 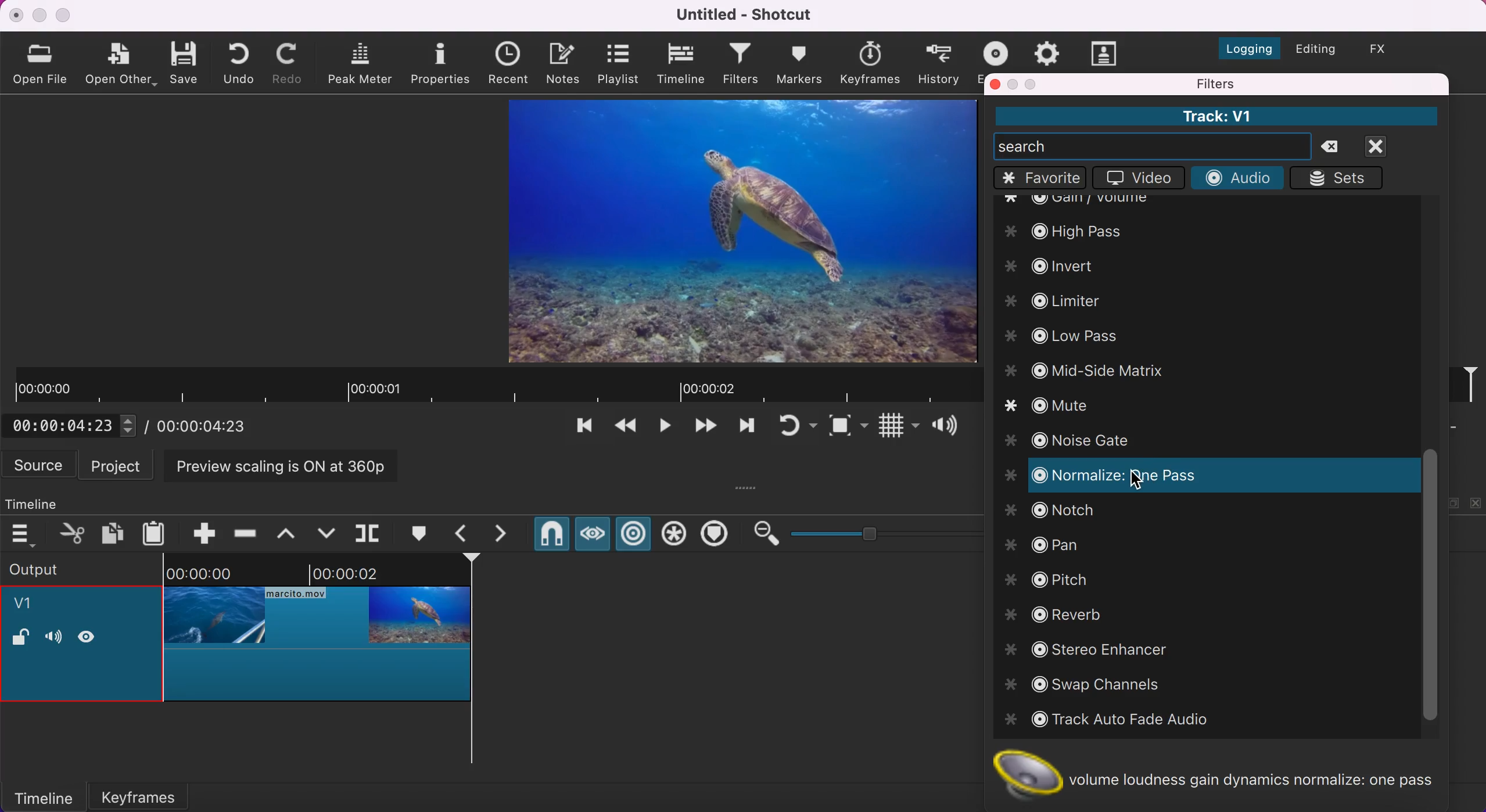 What do you see at coordinates (1072, 302) in the screenshot?
I see `limiter` at bounding box center [1072, 302].